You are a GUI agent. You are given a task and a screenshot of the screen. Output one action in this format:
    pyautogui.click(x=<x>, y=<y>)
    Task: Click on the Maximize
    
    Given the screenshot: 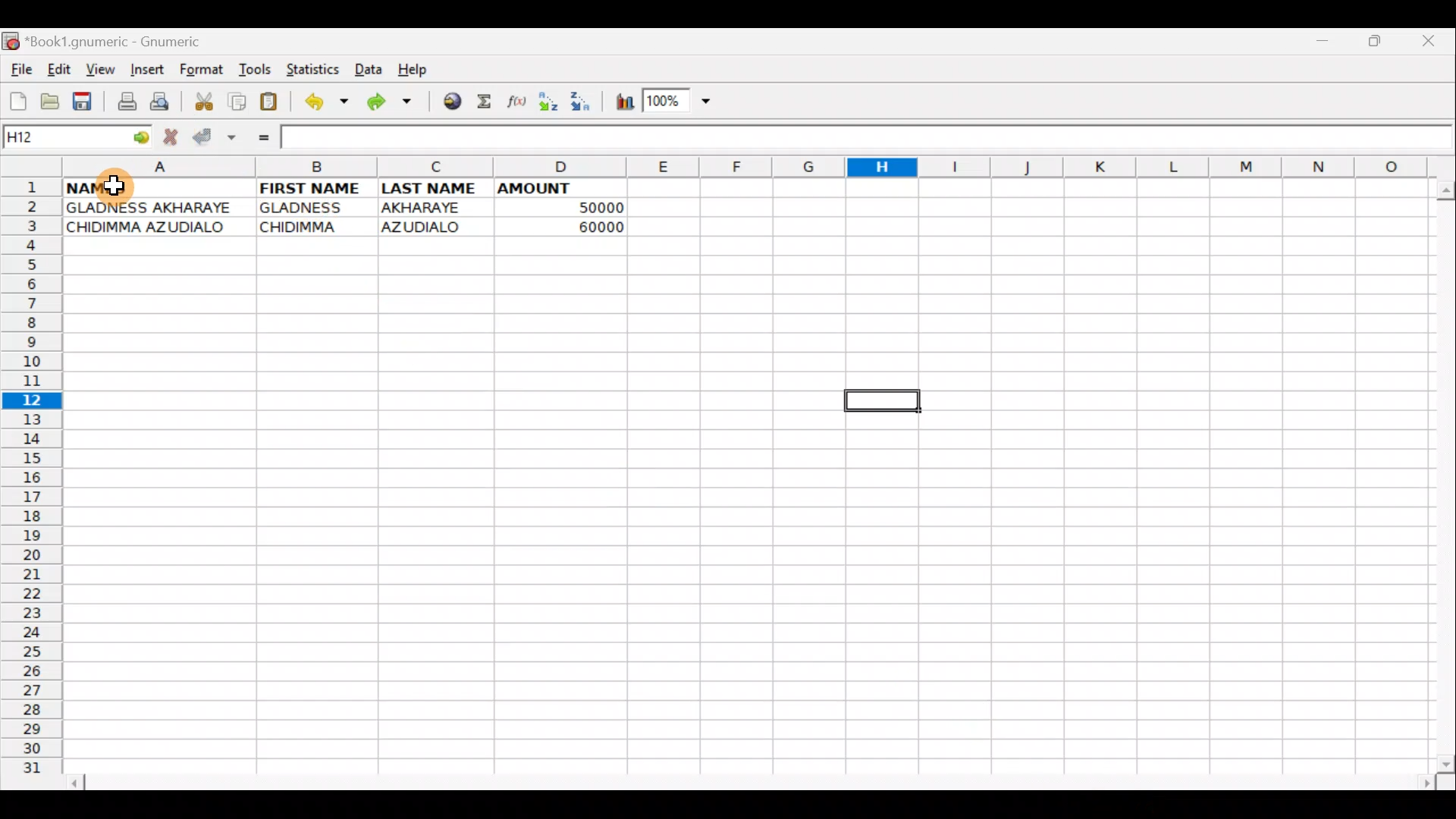 What is the action you would take?
    pyautogui.click(x=1380, y=42)
    